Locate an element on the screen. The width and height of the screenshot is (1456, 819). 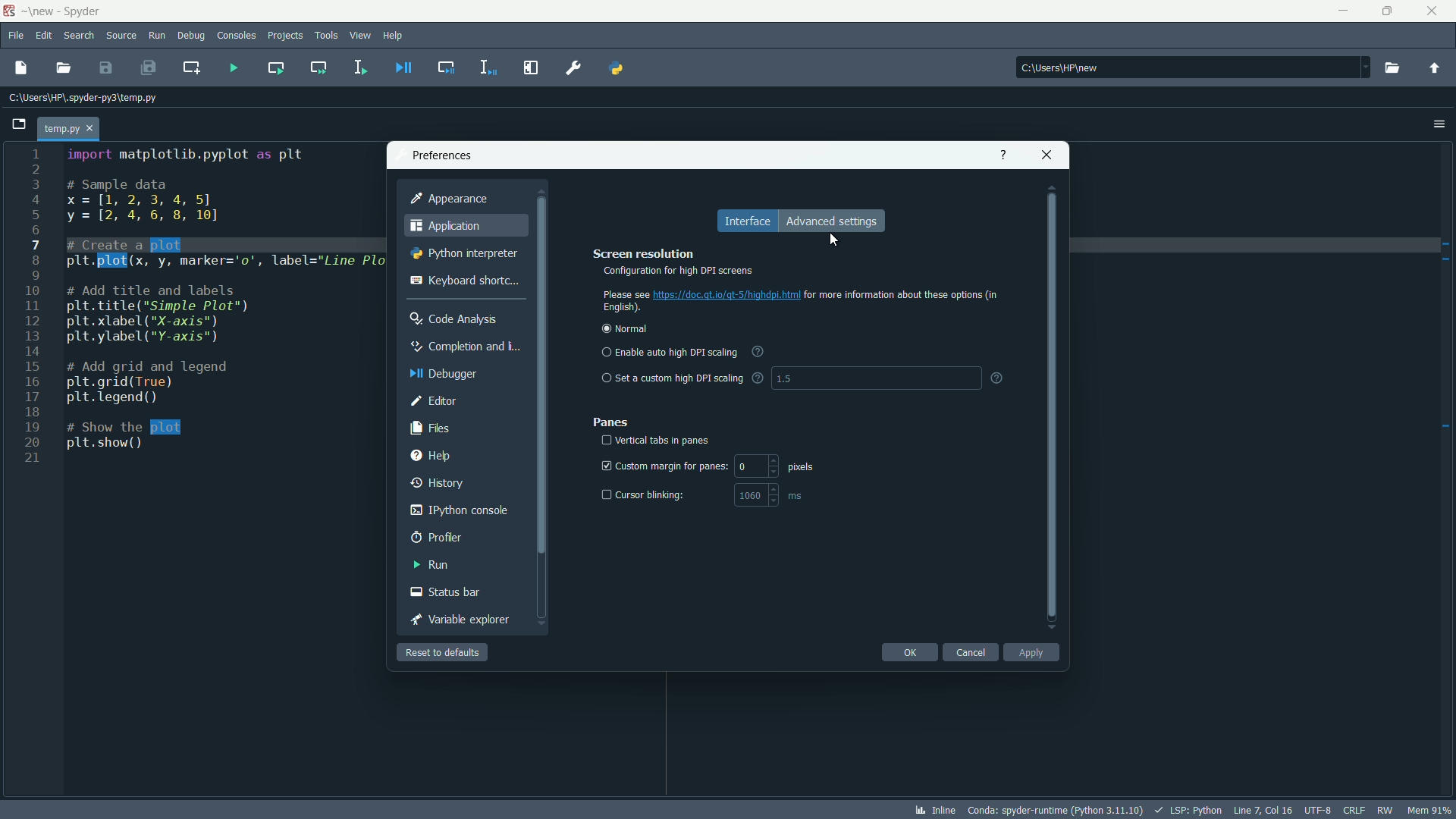
parent directory is located at coordinates (1434, 68).